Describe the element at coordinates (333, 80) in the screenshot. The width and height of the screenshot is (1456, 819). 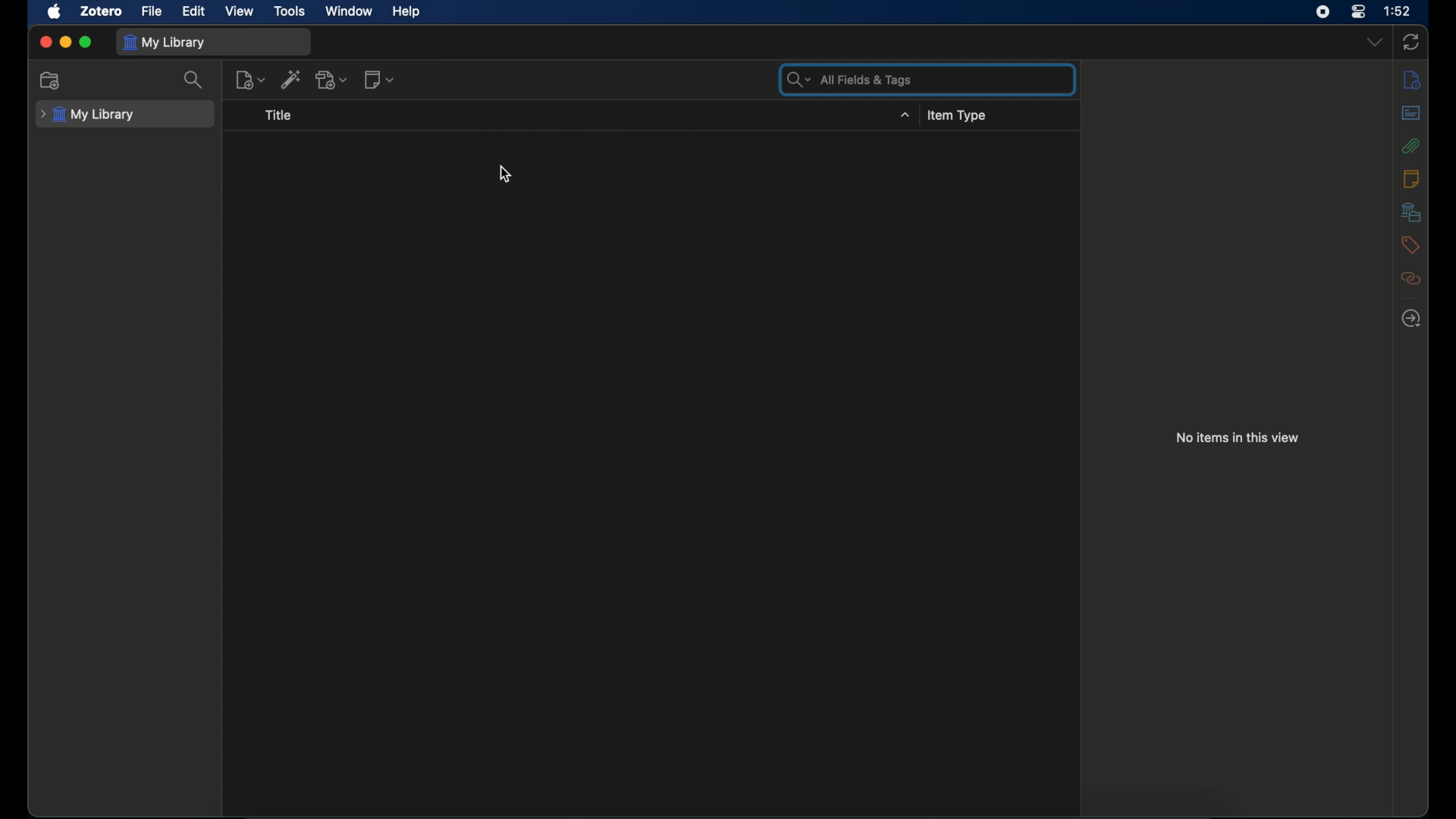
I see `add attachment` at that location.